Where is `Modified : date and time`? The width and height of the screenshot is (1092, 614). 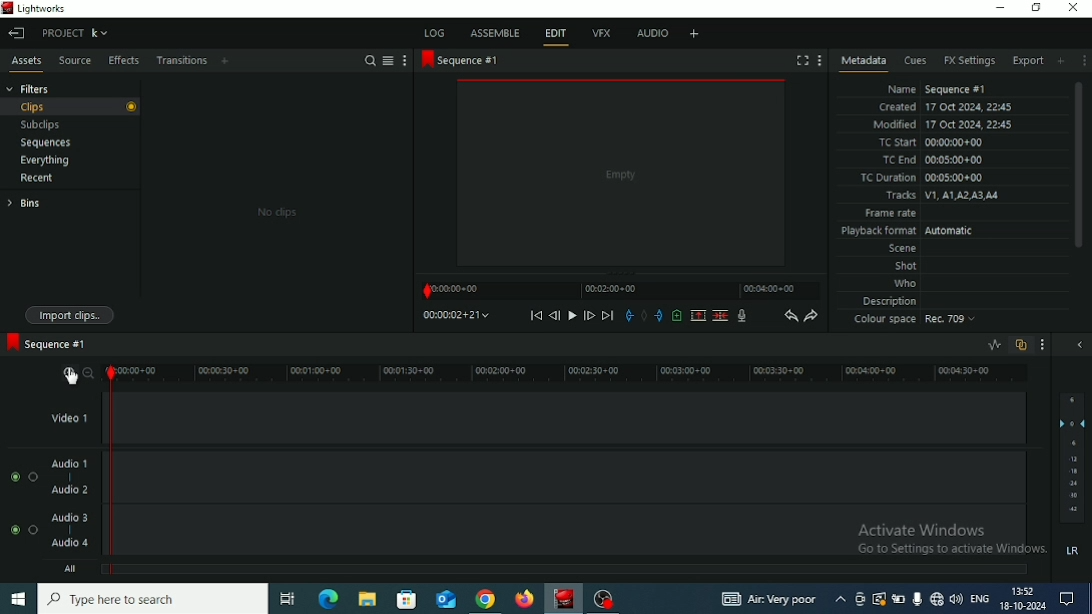 Modified : date and time is located at coordinates (943, 124).